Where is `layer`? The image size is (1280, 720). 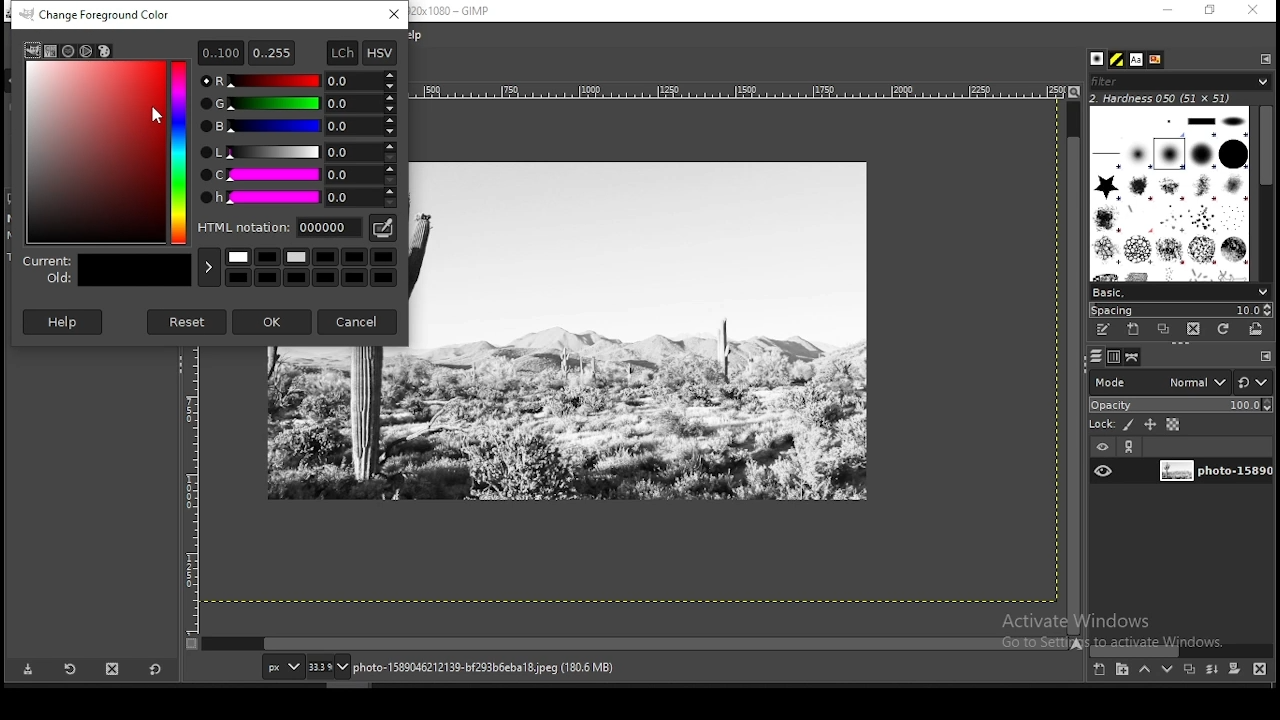
layer is located at coordinates (1213, 472).